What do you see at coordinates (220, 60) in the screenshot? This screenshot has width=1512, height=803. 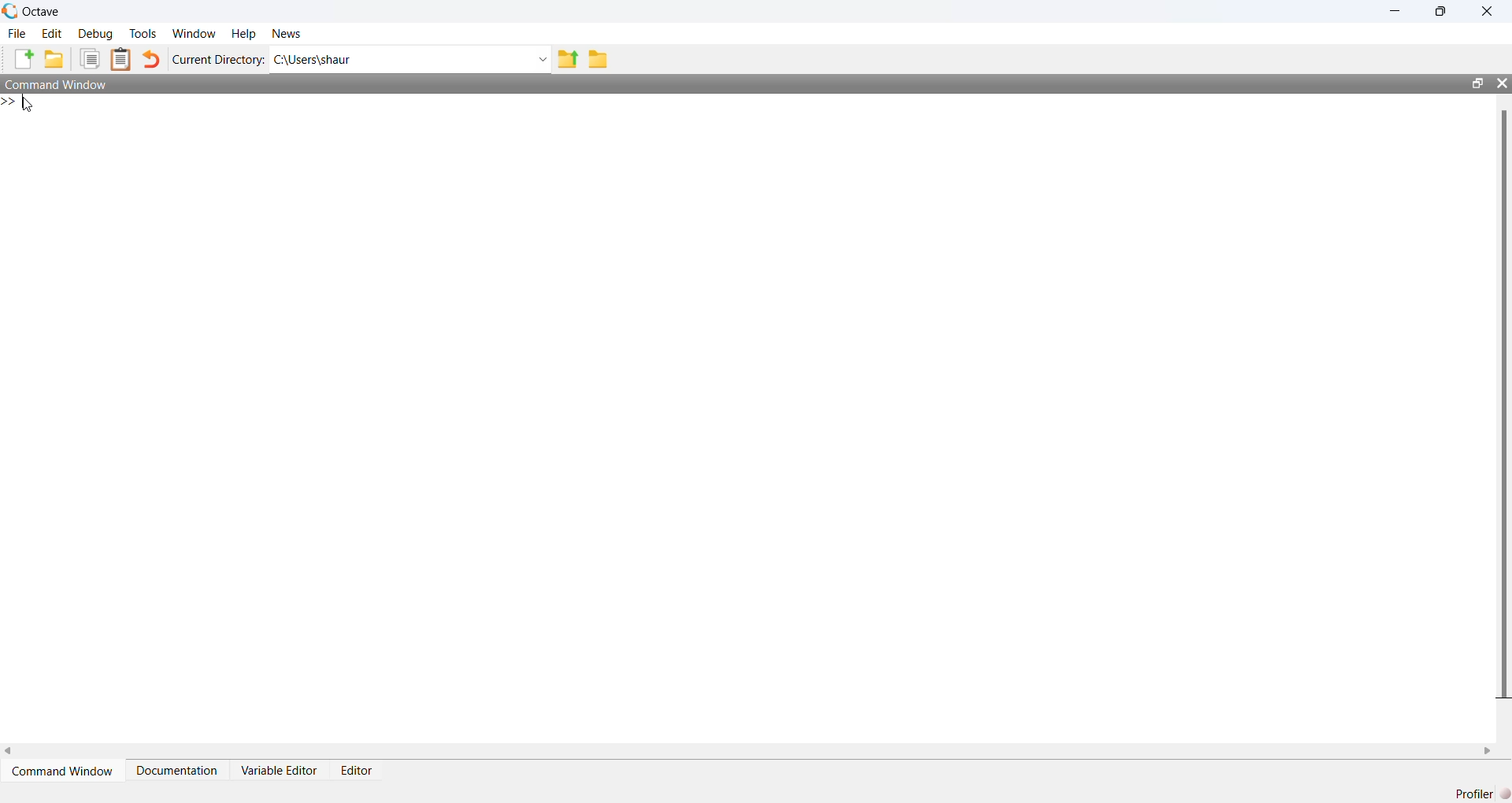 I see `Current Directory:` at bounding box center [220, 60].